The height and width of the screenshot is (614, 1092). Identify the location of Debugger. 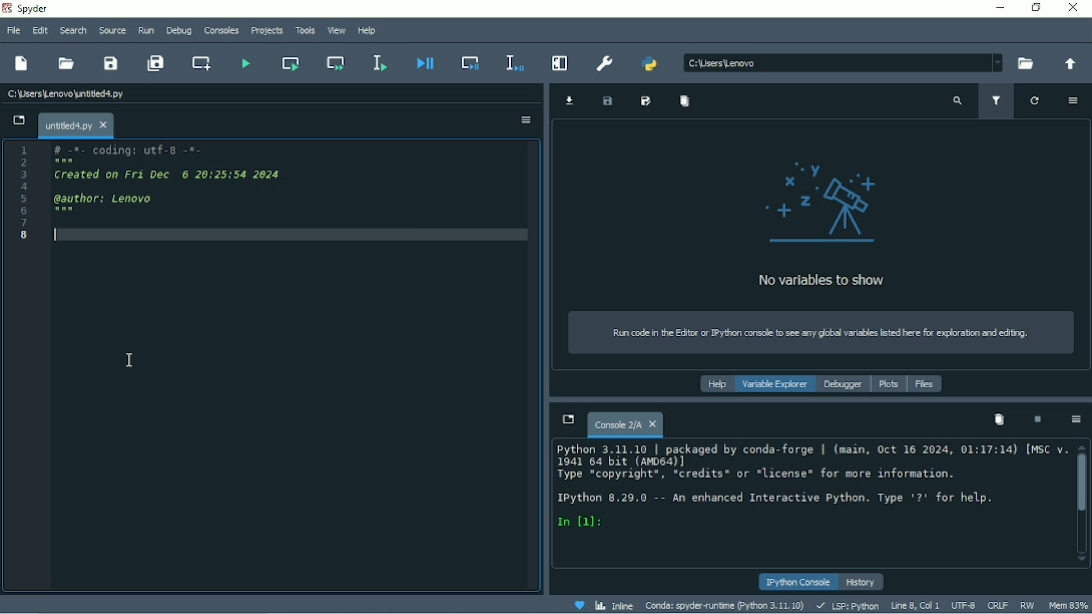
(839, 384).